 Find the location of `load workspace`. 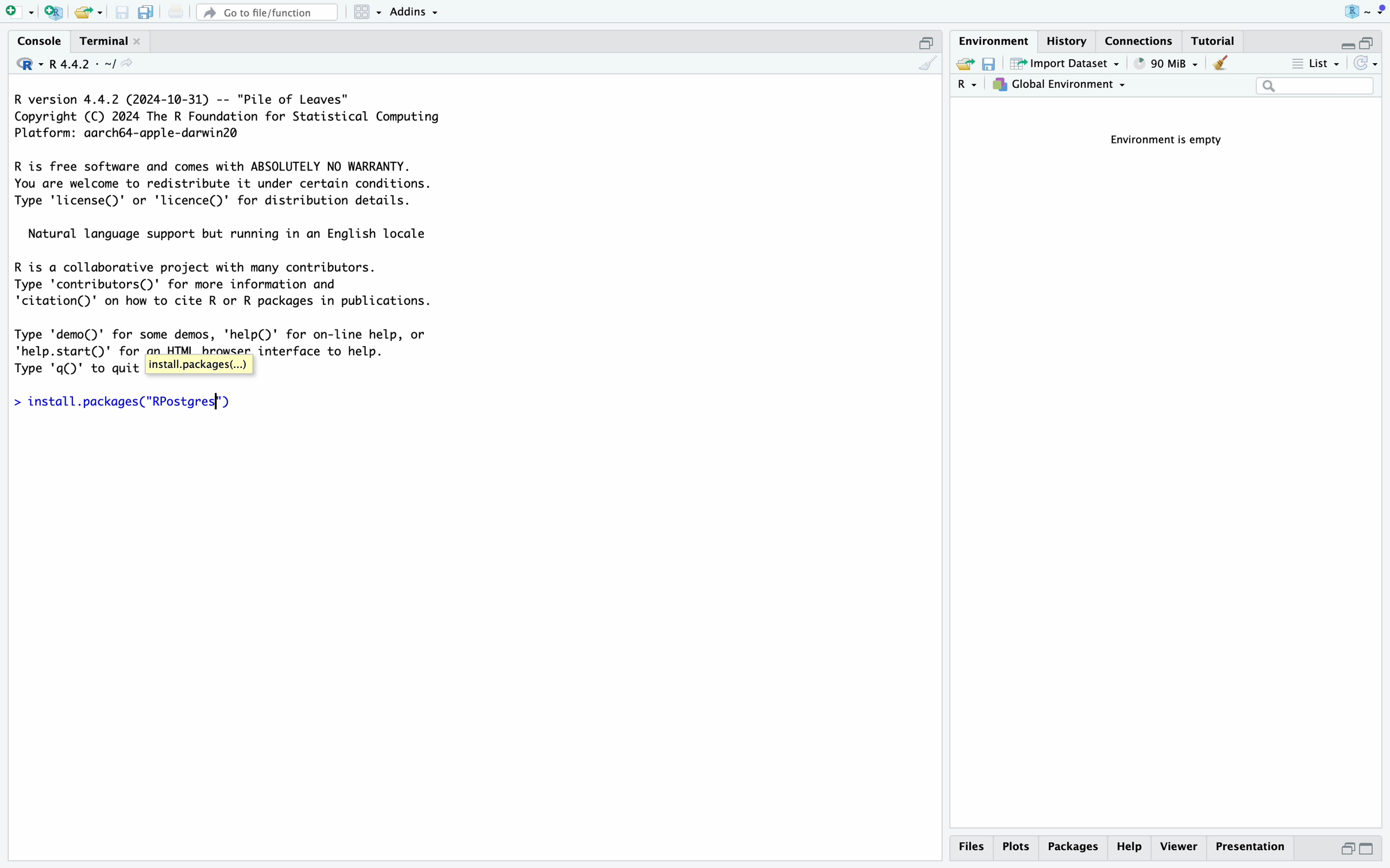

load workspace is located at coordinates (964, 65).